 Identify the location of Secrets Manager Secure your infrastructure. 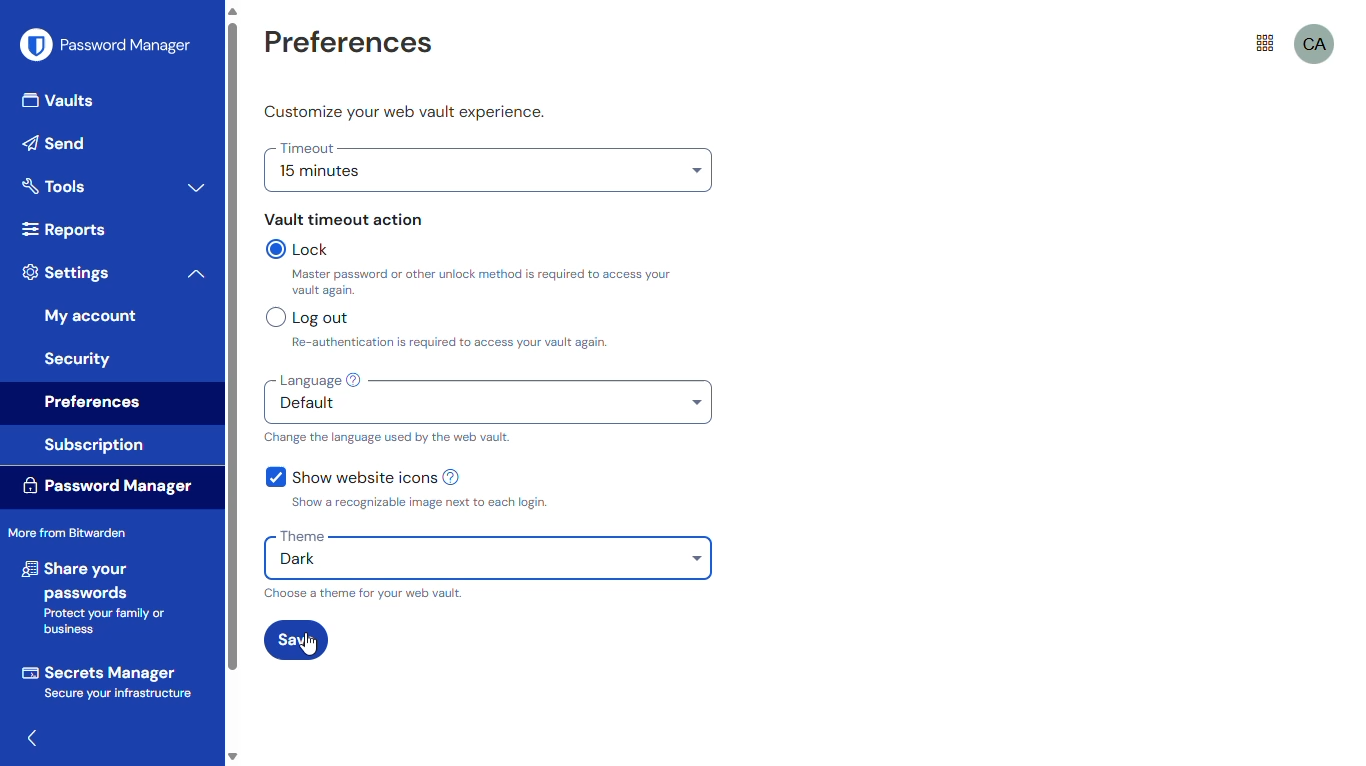
(108, 681).